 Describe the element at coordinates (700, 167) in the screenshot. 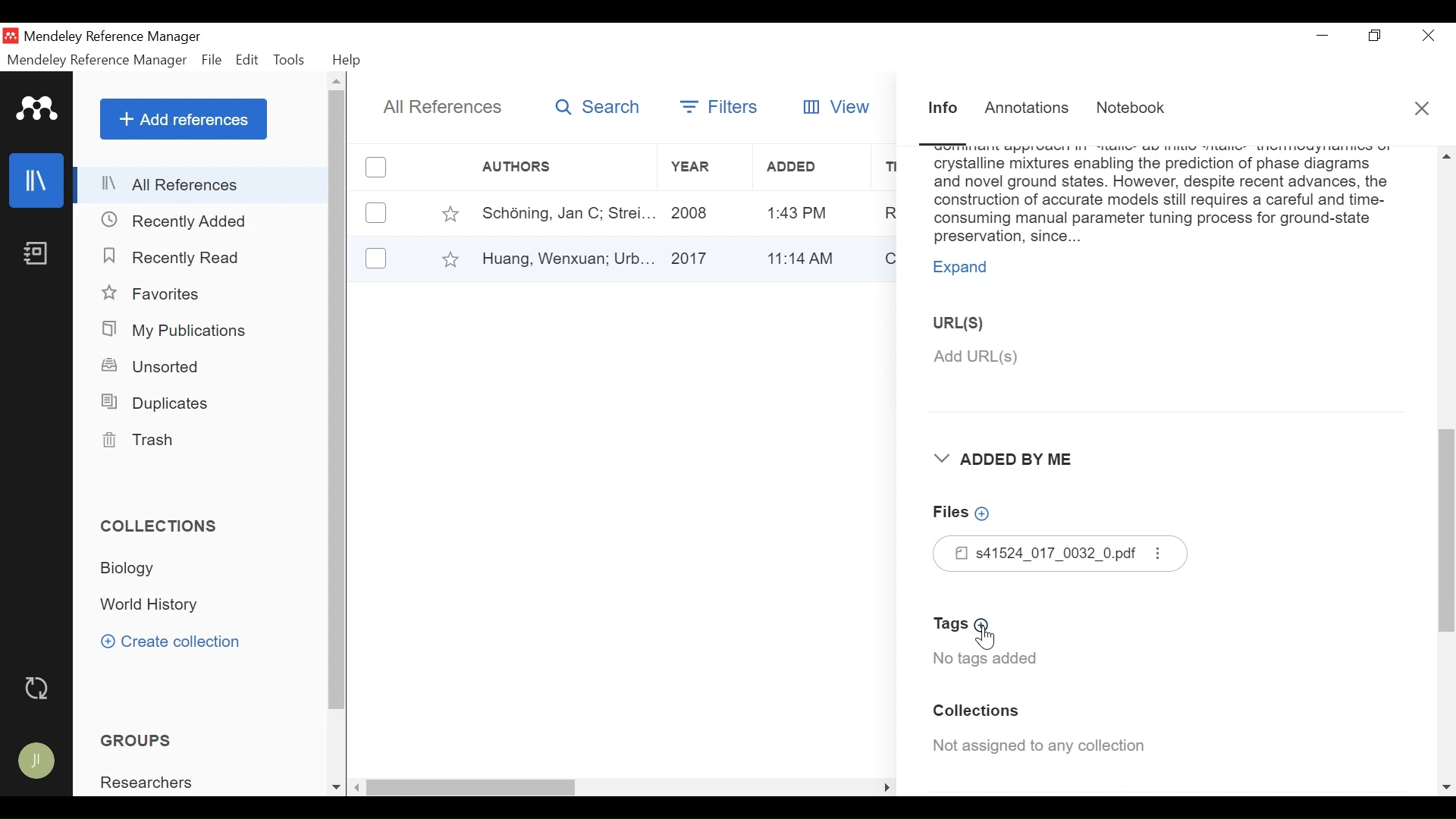

I see `Year` at that location.